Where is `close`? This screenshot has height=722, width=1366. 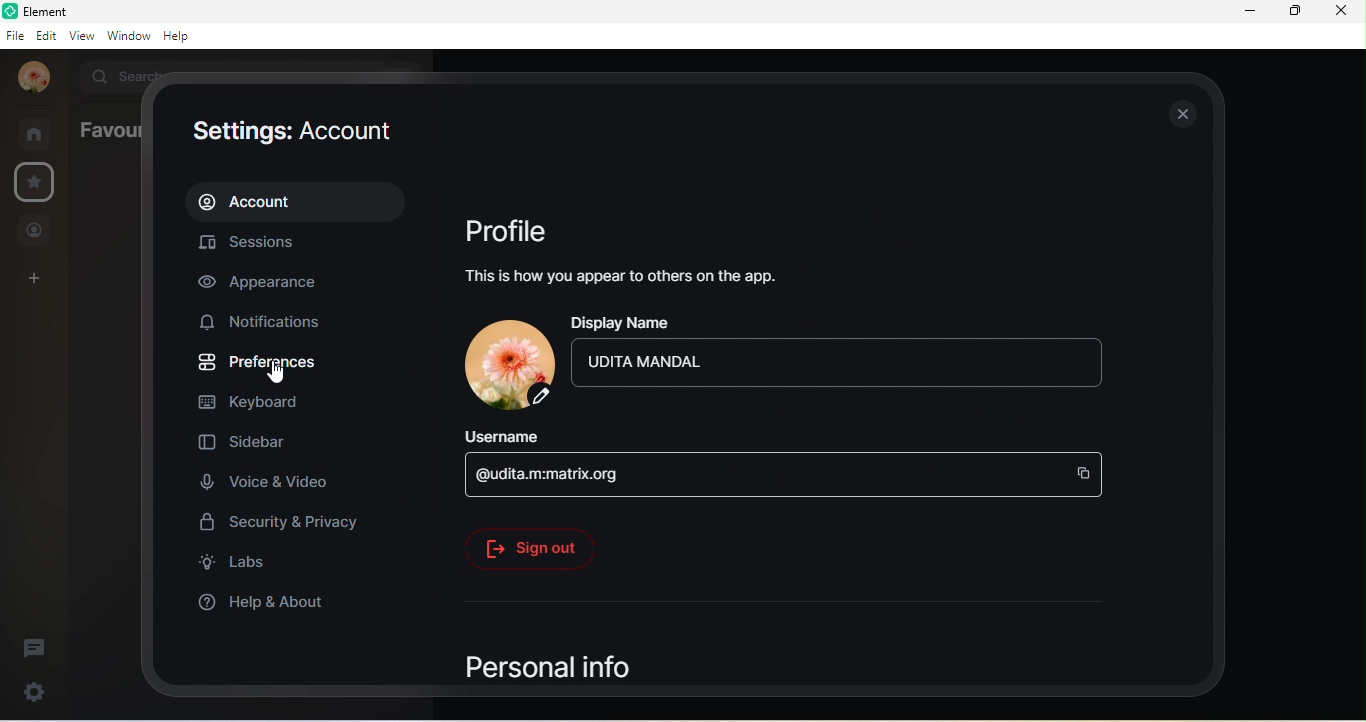 close is located at coordinates (1346, 14).